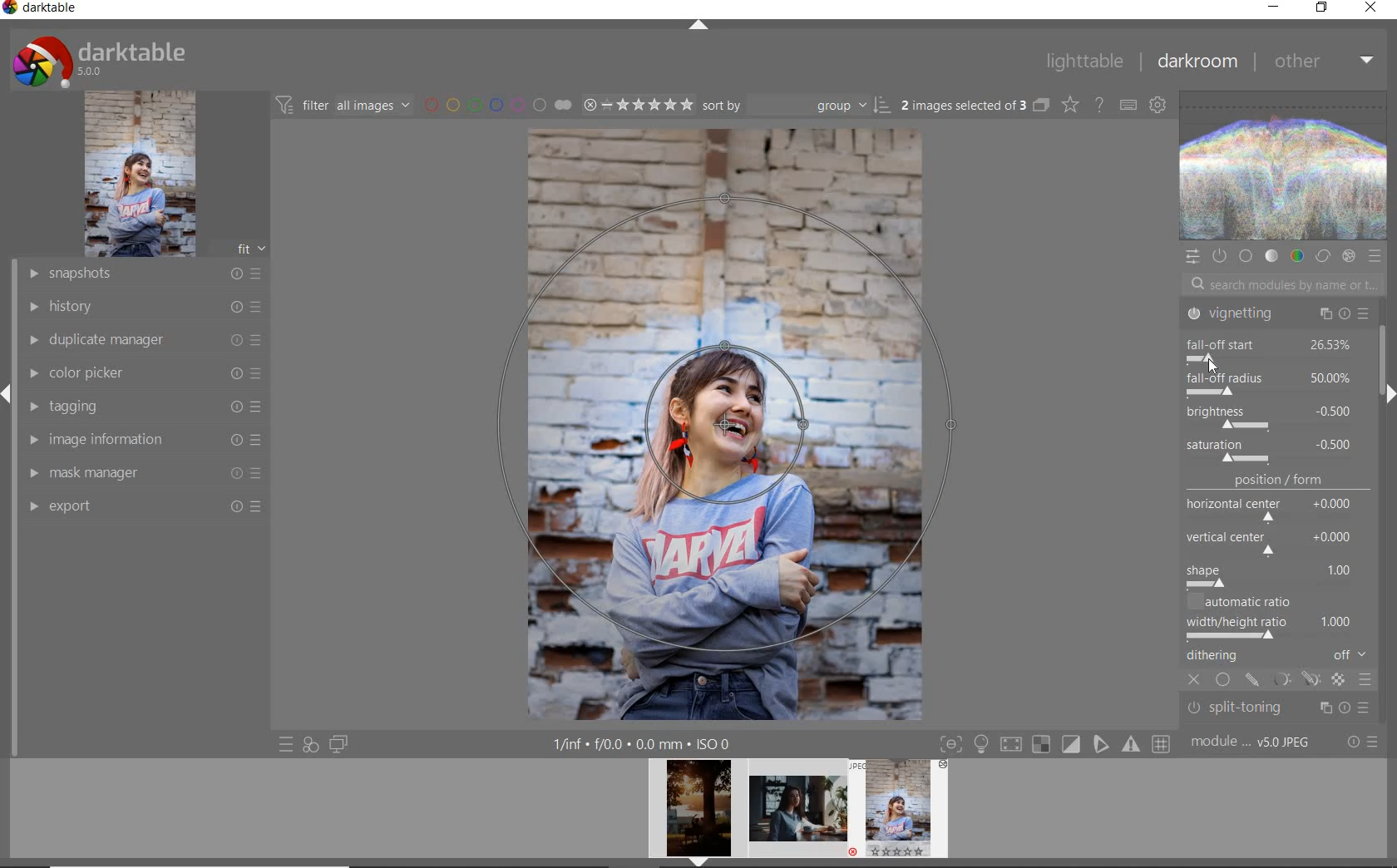 The image size is (1397, 868). I want to click on SELECTED IMAGE RANGE RATING, so click(638, 103).